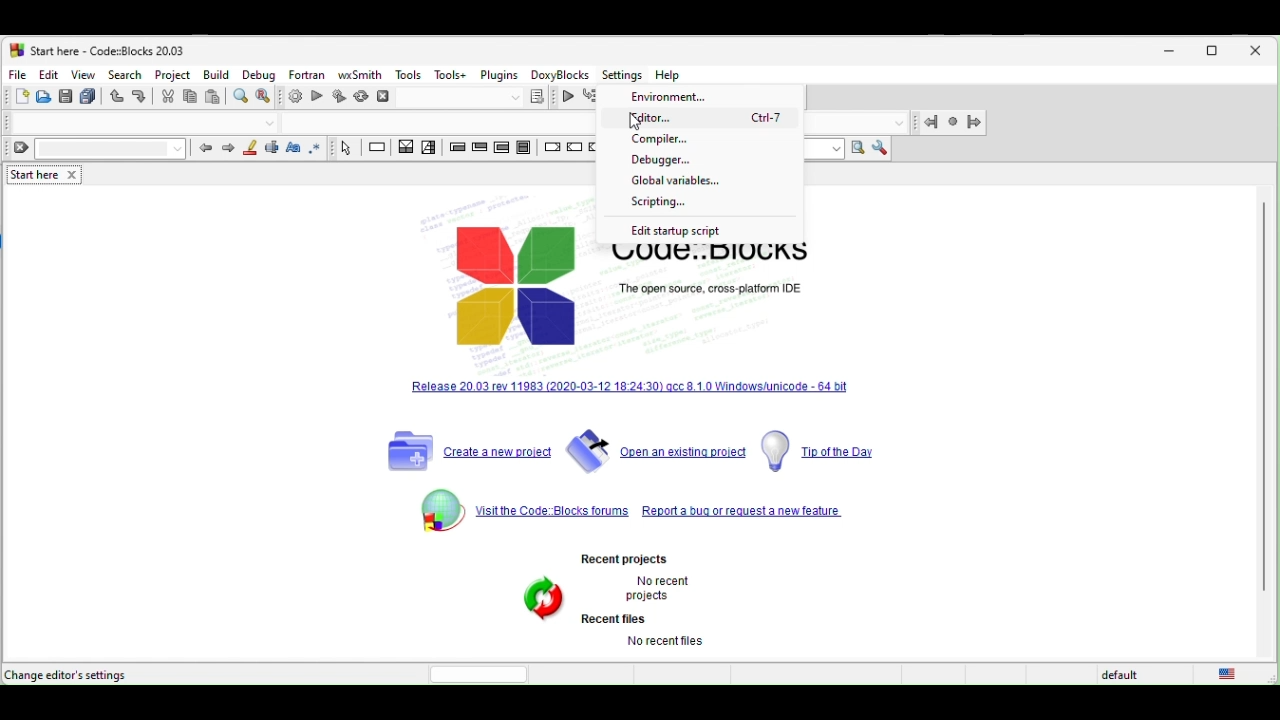  I want to click on select, so click(348, 148).